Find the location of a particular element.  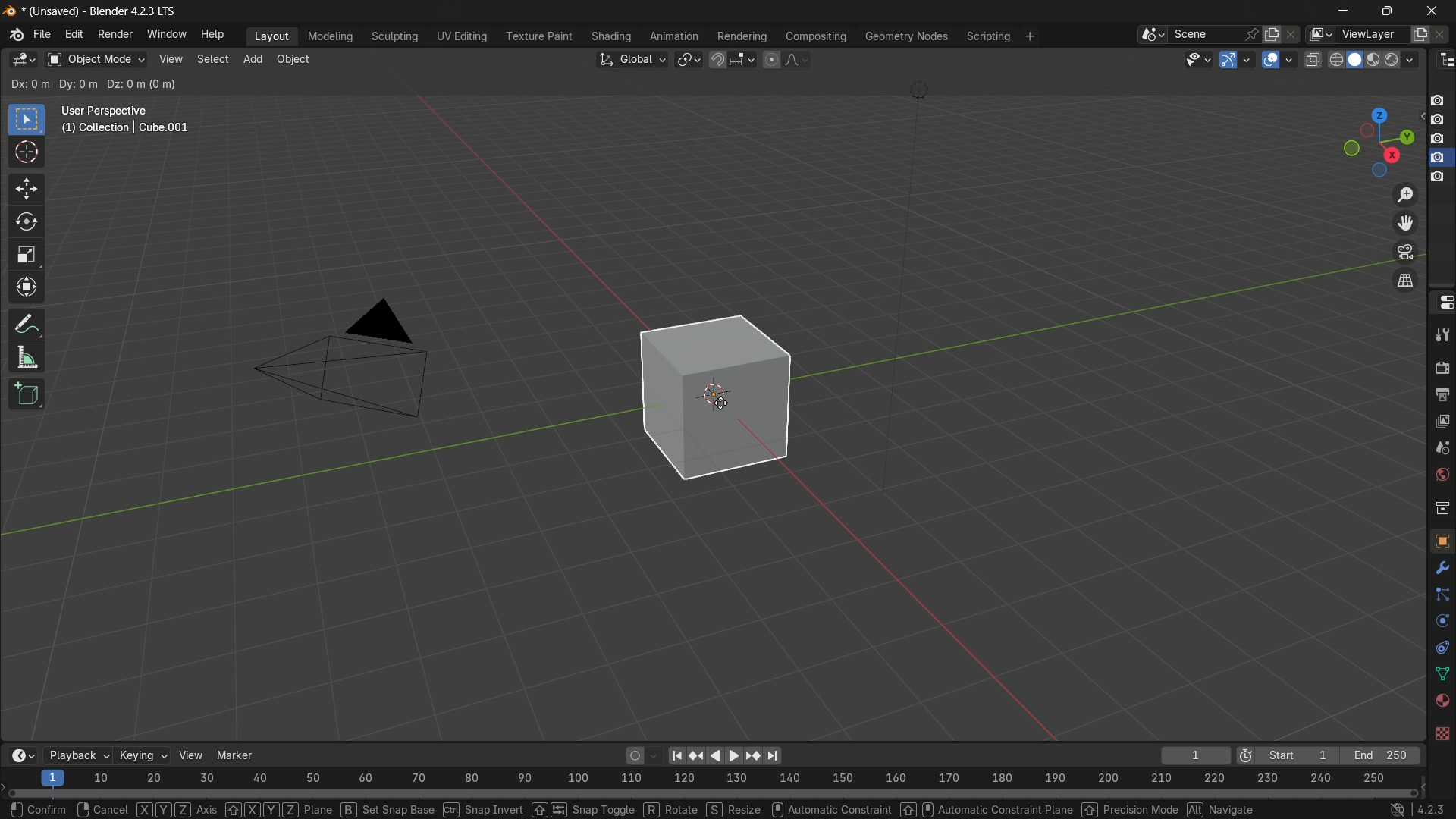

end timeline is located at coordinates (1381, 755).